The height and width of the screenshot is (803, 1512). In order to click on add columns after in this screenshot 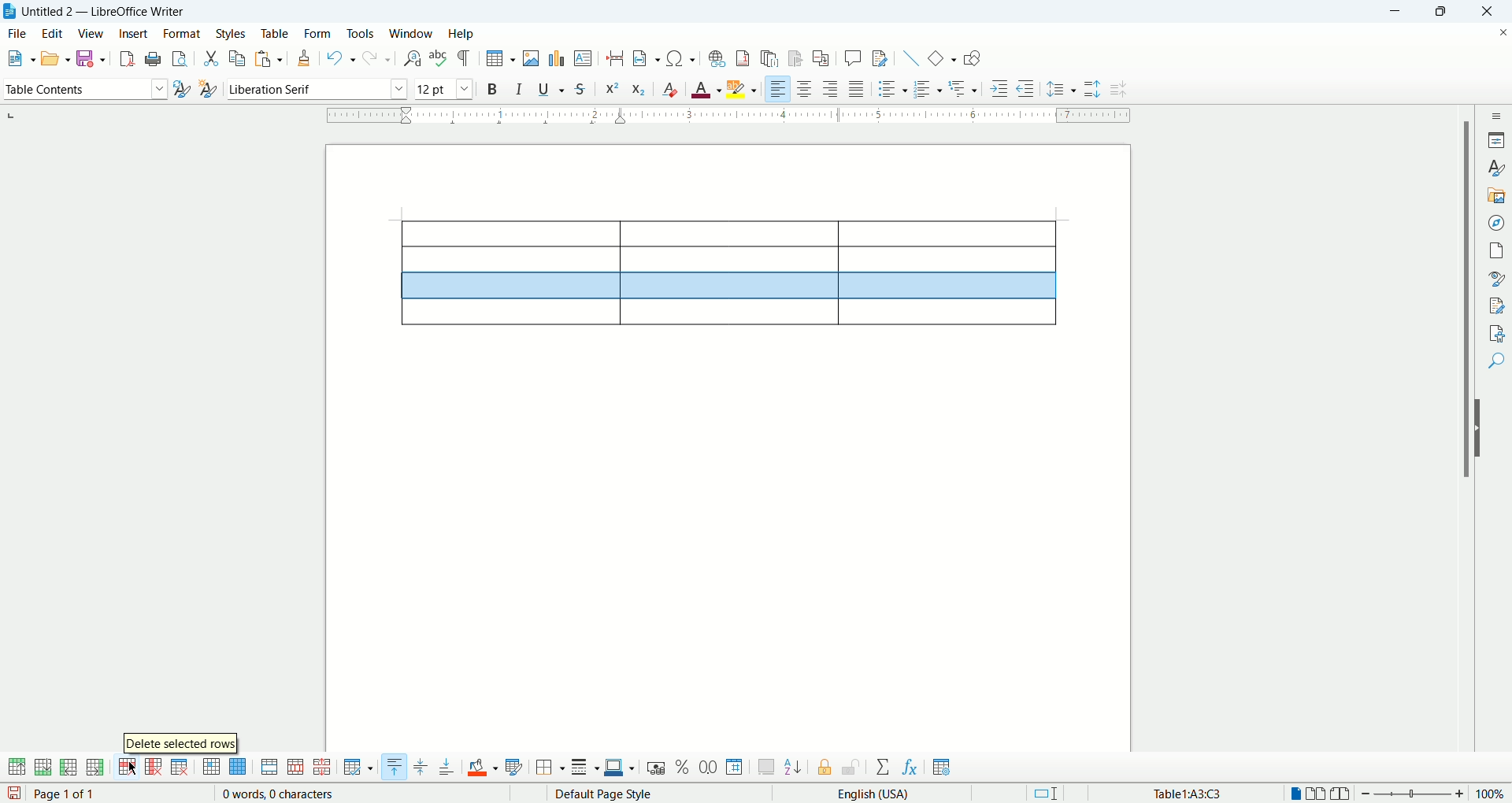, I will do `click(95, 767)`.